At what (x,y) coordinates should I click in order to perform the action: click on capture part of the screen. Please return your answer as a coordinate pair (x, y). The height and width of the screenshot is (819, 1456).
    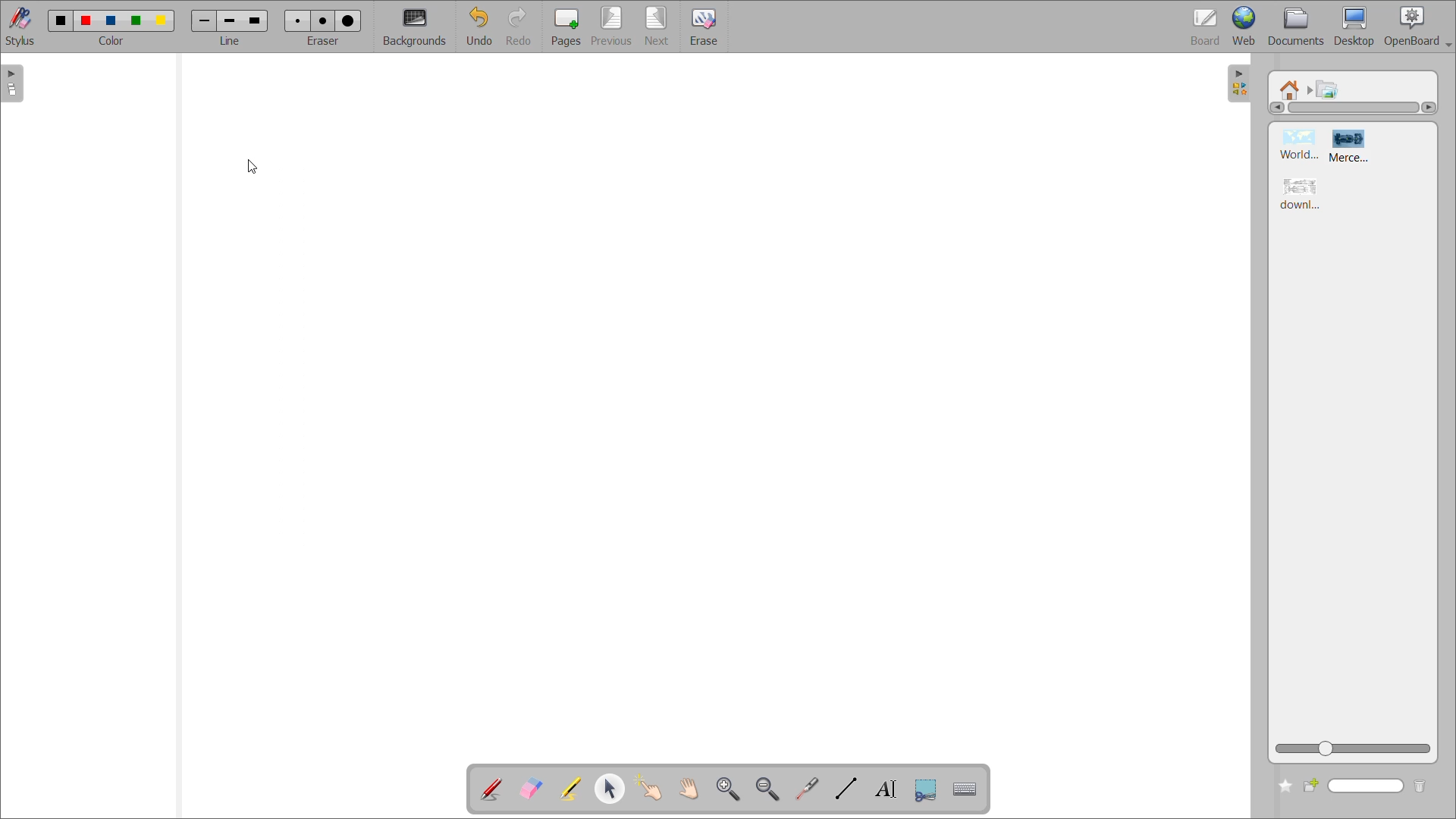
    Looking at the image, I should click on (924, 788).